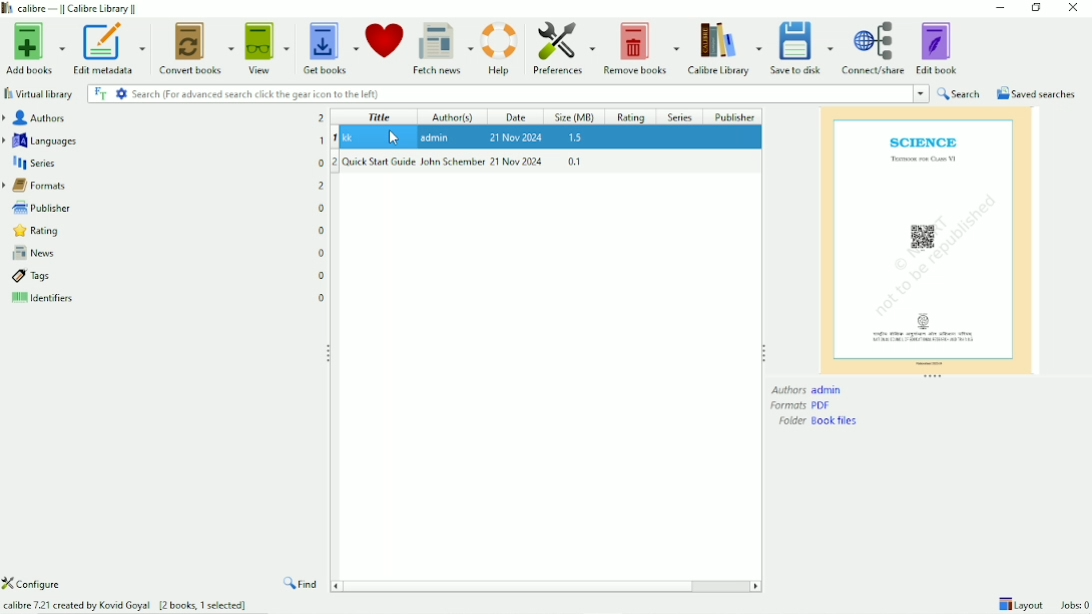  I want to click on Find, so click(302, 584).